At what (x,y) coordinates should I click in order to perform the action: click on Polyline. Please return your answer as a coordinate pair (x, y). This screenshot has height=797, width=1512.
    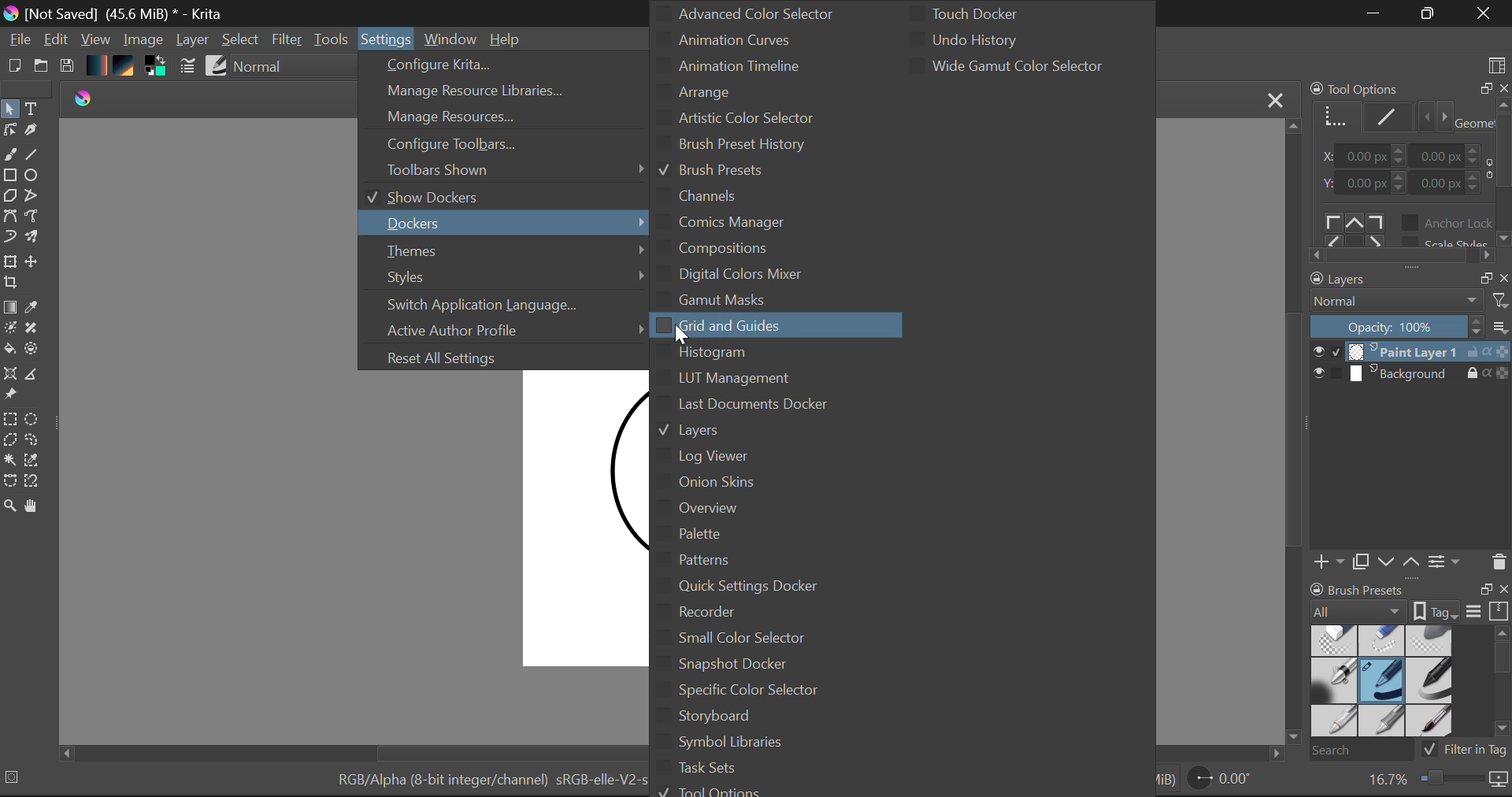
    Looking at the image, I should click on (32, 194).